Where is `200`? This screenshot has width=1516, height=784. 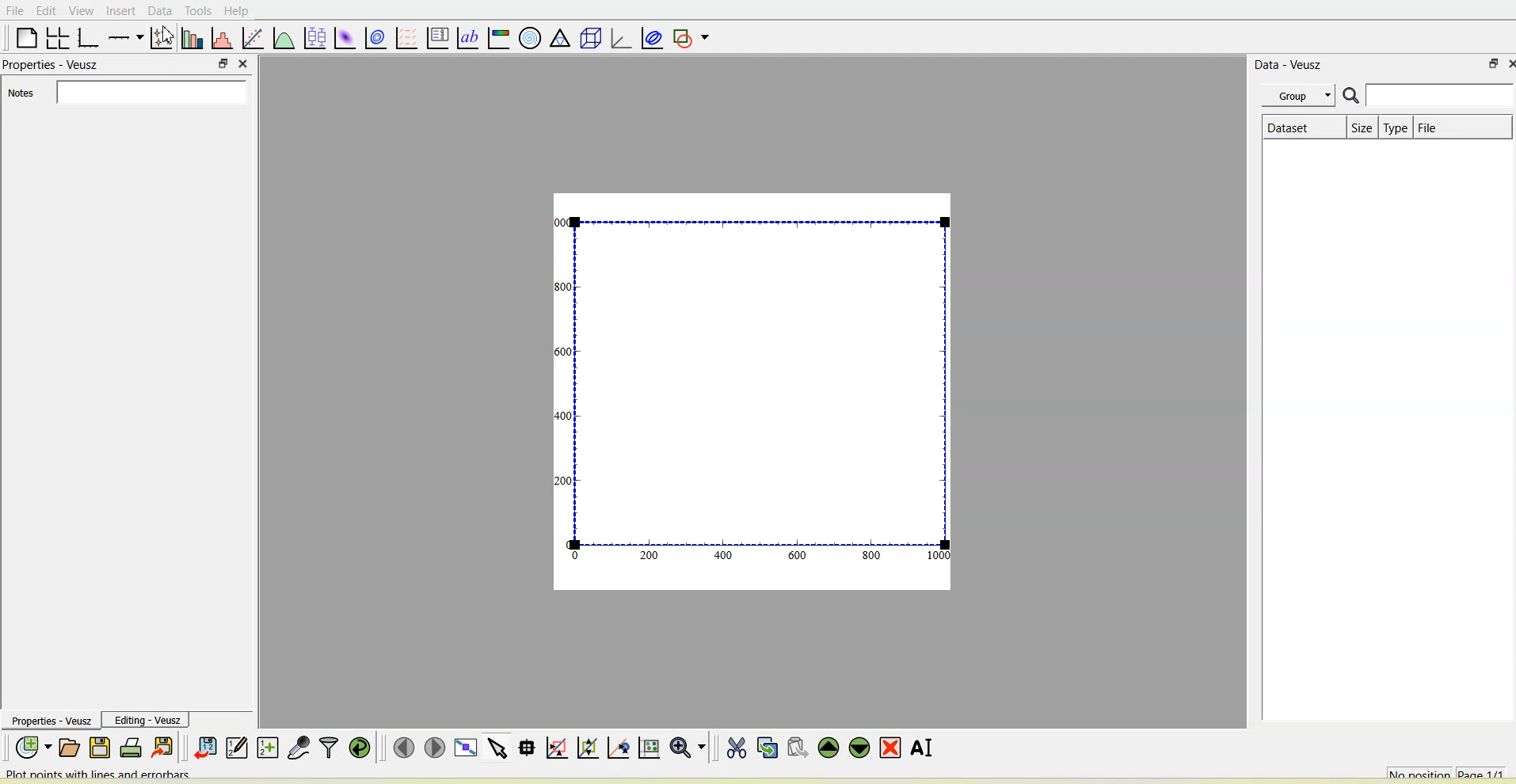 200 is located at coordinates (564, 480).